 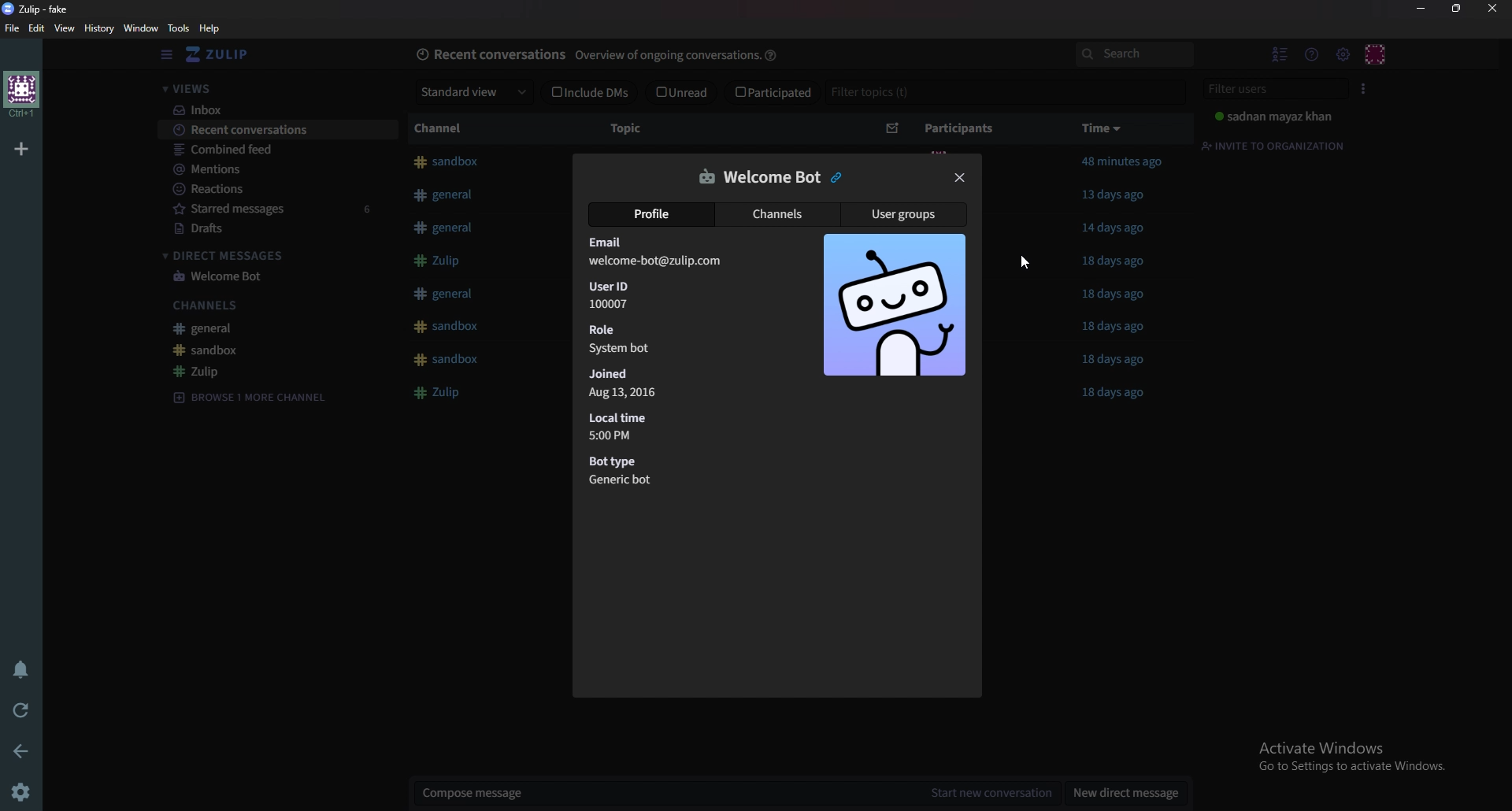 What do you see at coordinates (840, 177) in the screenshot?
I see `Copy link` at bounding box center [840, 177].